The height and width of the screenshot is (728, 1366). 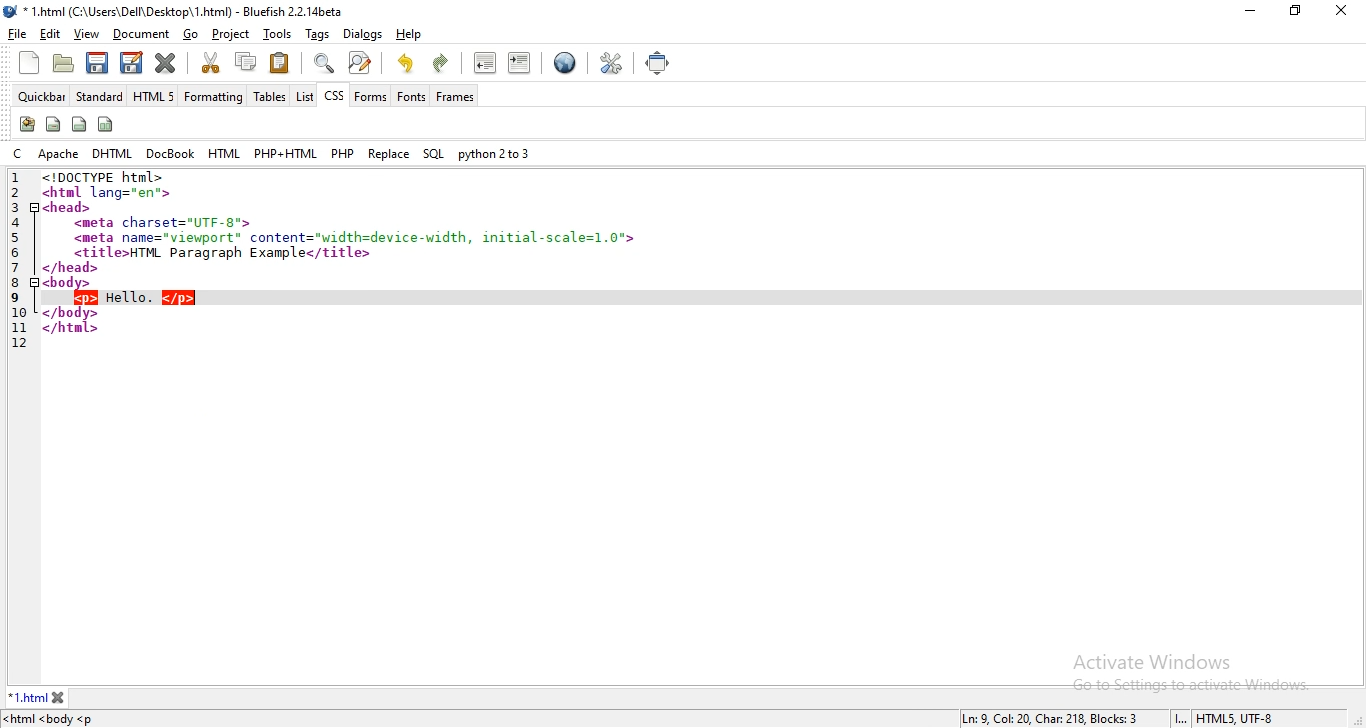 I want to click on redo, so click(x=443, y=63).